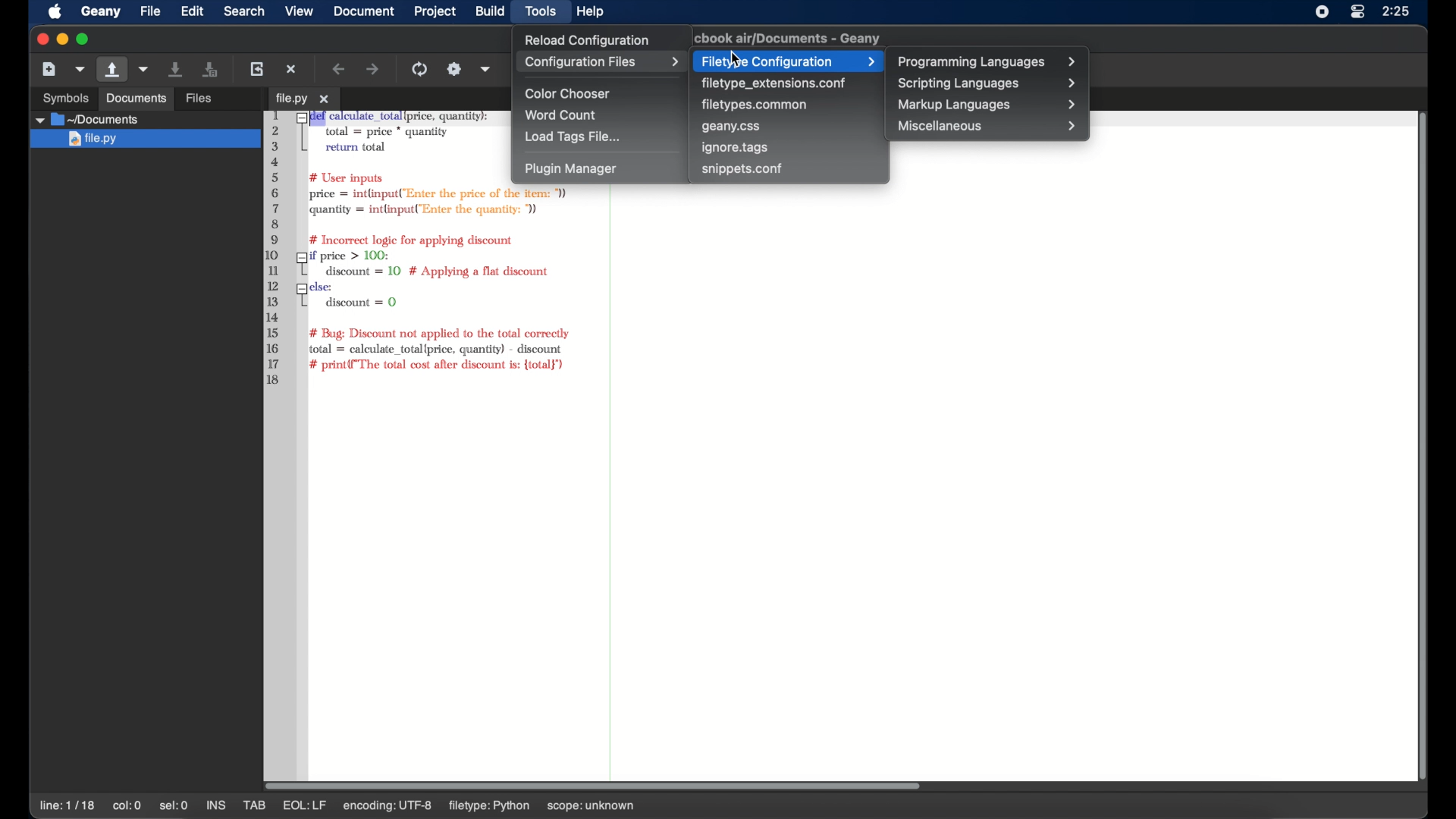 This screenshot has height=819, width=1456. Describe the element at coordinates (244, 11) in the screenshot. I see `search` at that location.